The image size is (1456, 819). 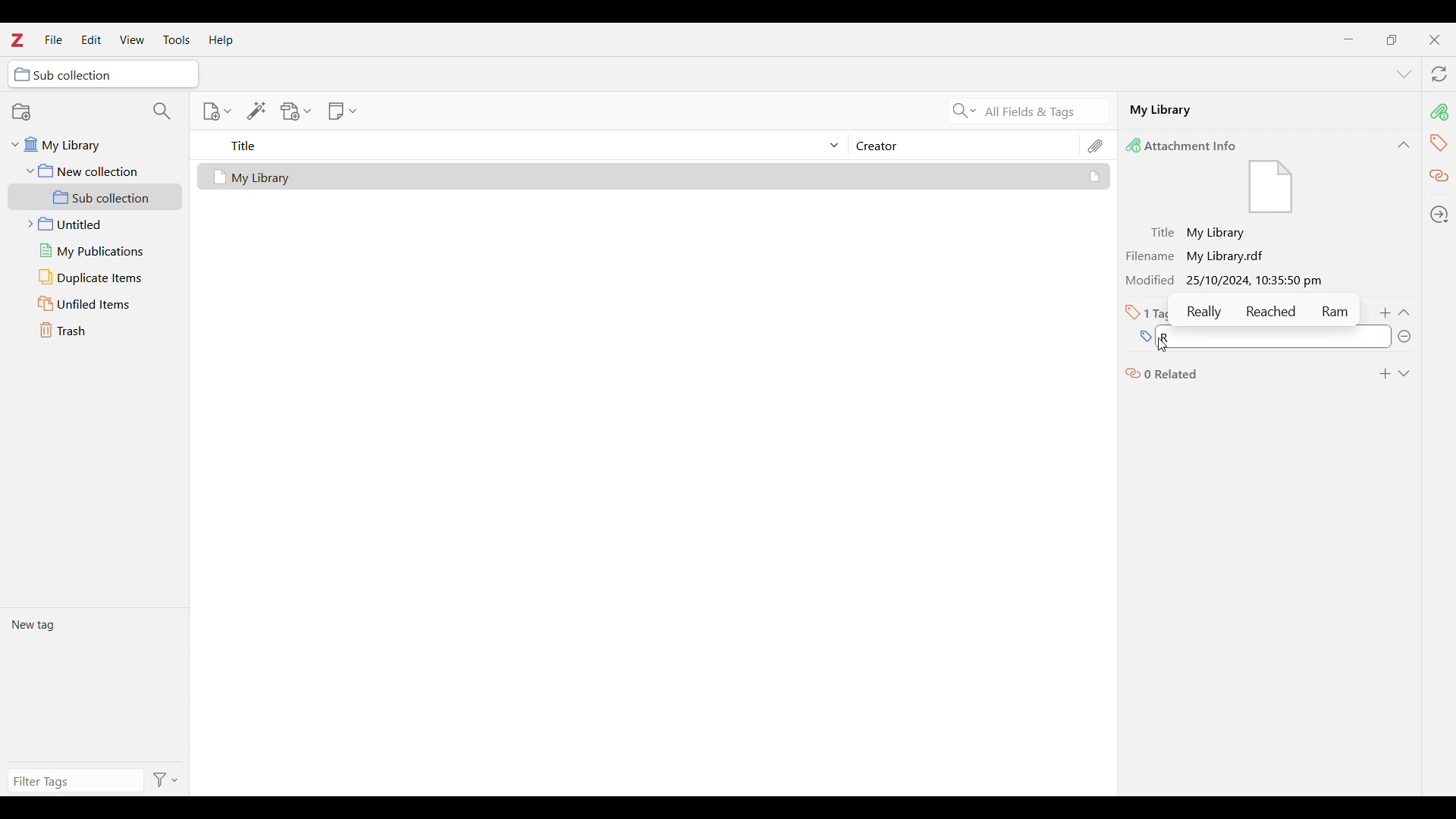 I want to click on Related, so click(x=1440, y=177).